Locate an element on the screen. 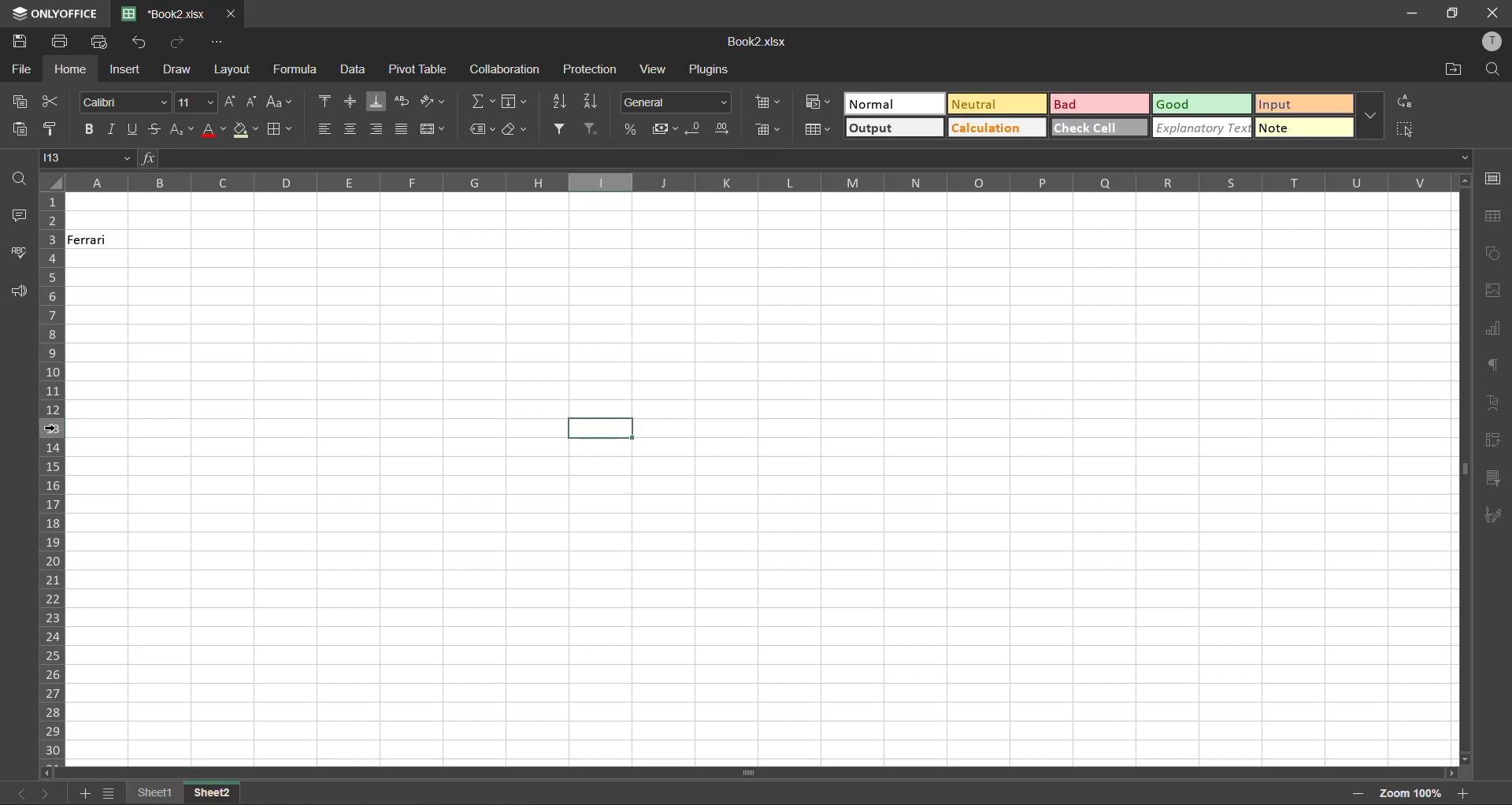 The width and height of the screenshot is (1512, 805). redo is located at coordinates (180, 43).